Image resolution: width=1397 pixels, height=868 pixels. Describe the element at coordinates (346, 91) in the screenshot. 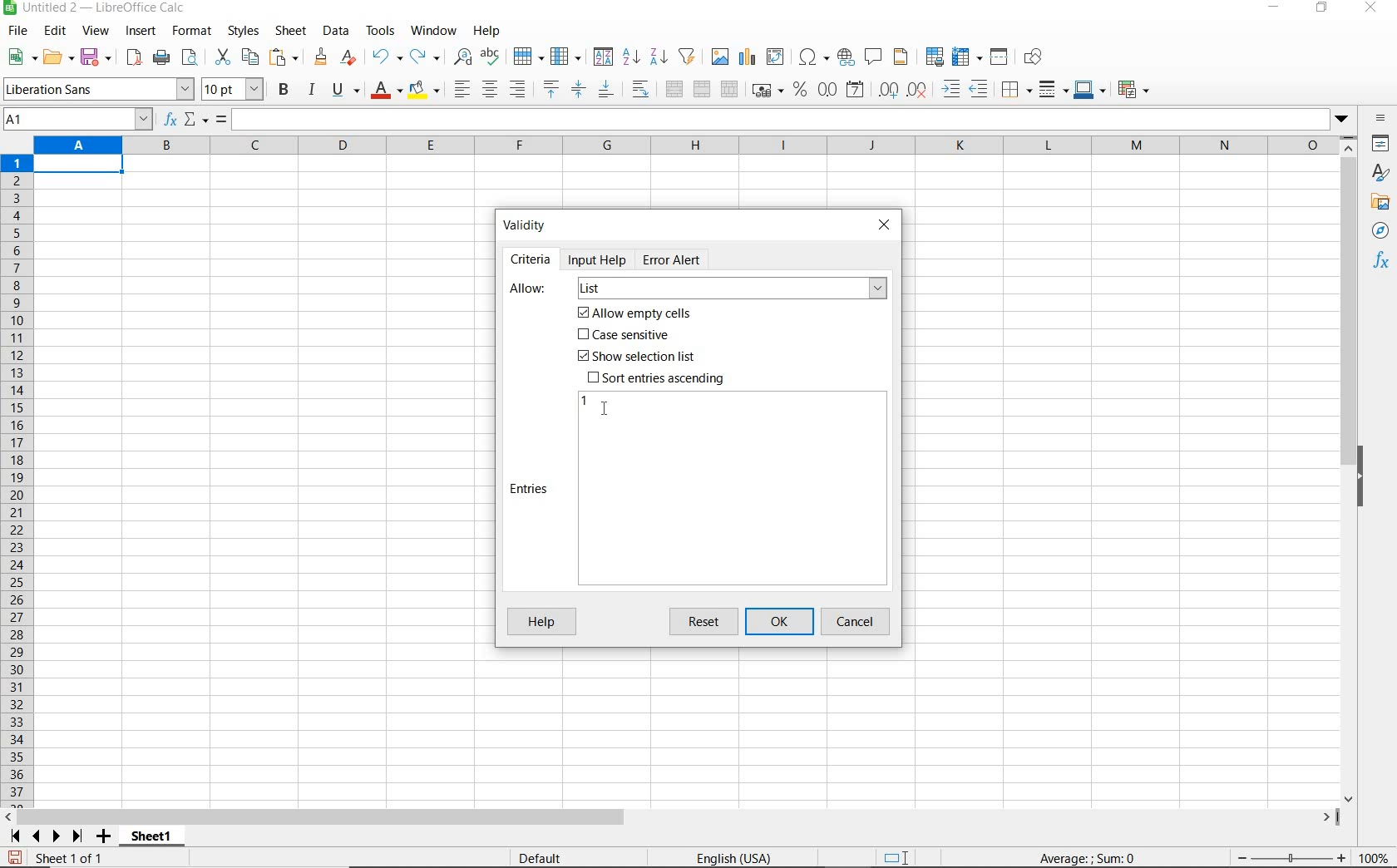

I see `underline` at that location.